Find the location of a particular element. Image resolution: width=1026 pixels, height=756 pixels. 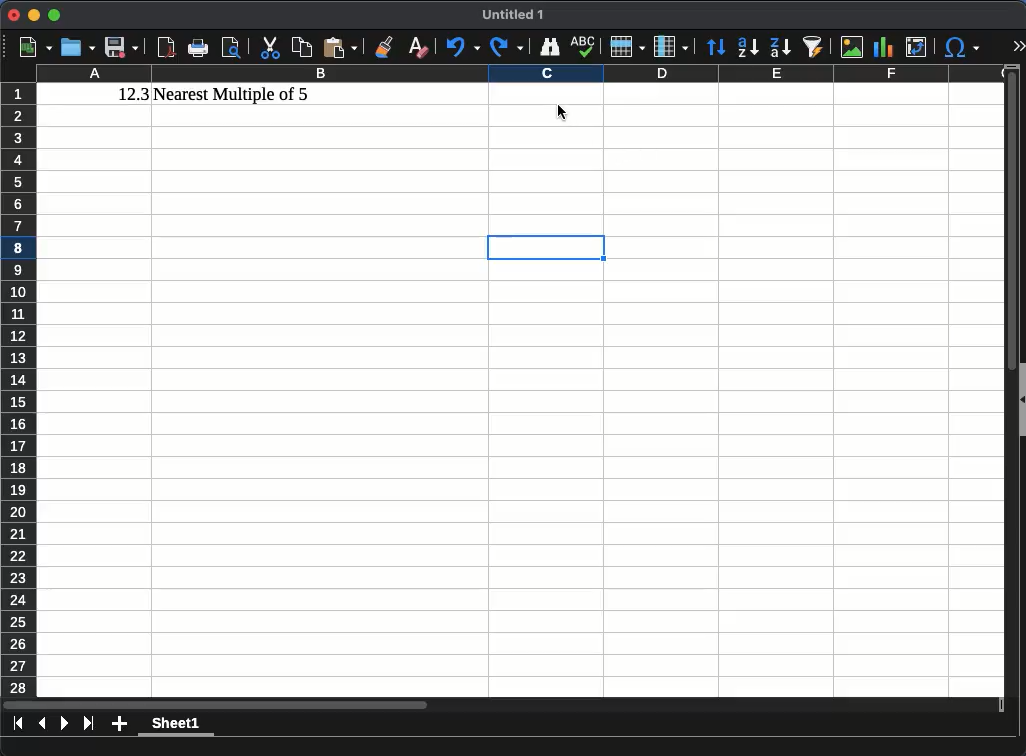

open is located at coordinates (78, 47).